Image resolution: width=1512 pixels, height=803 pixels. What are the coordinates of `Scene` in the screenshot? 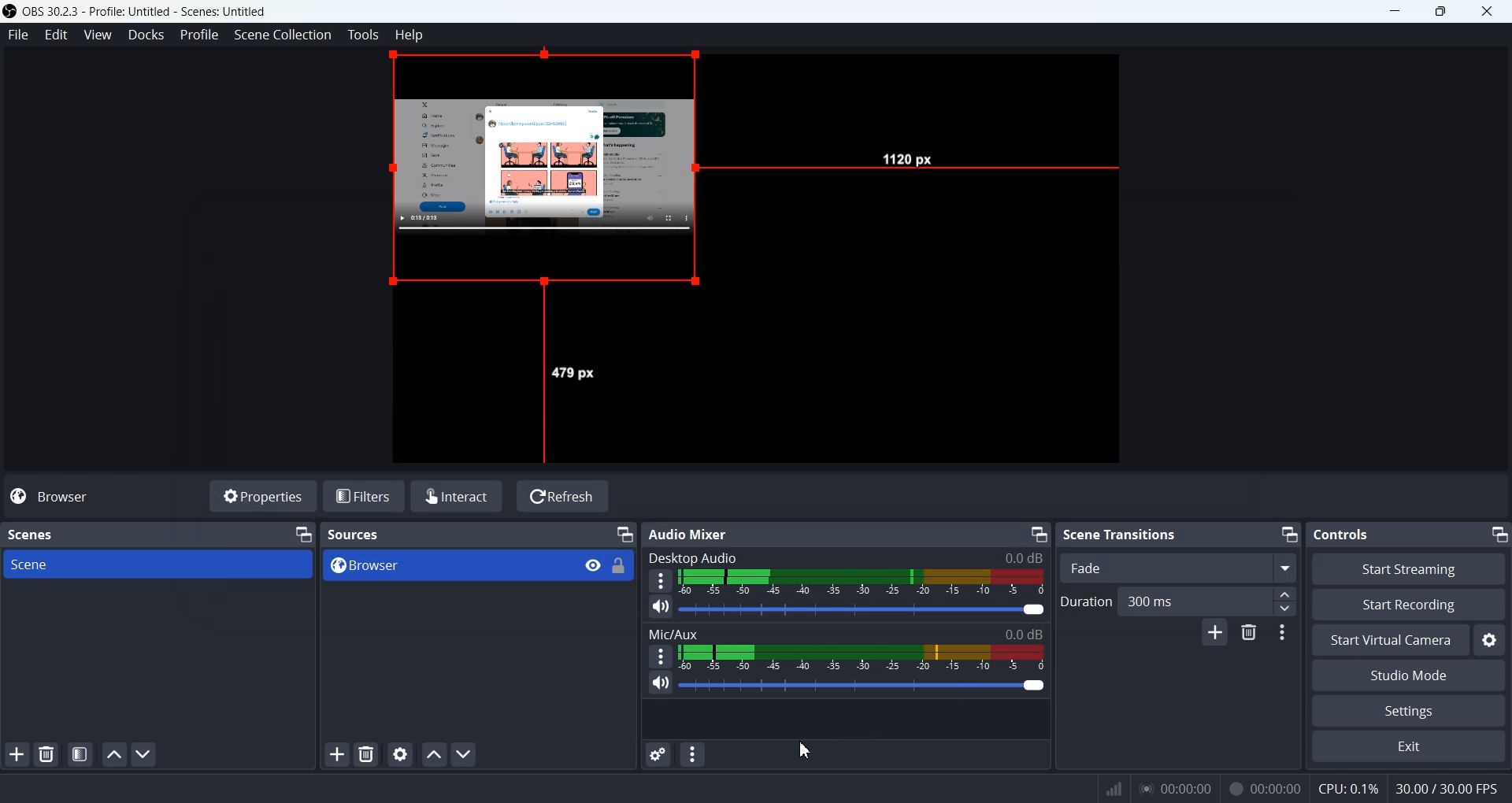 It's located at (157, 564).